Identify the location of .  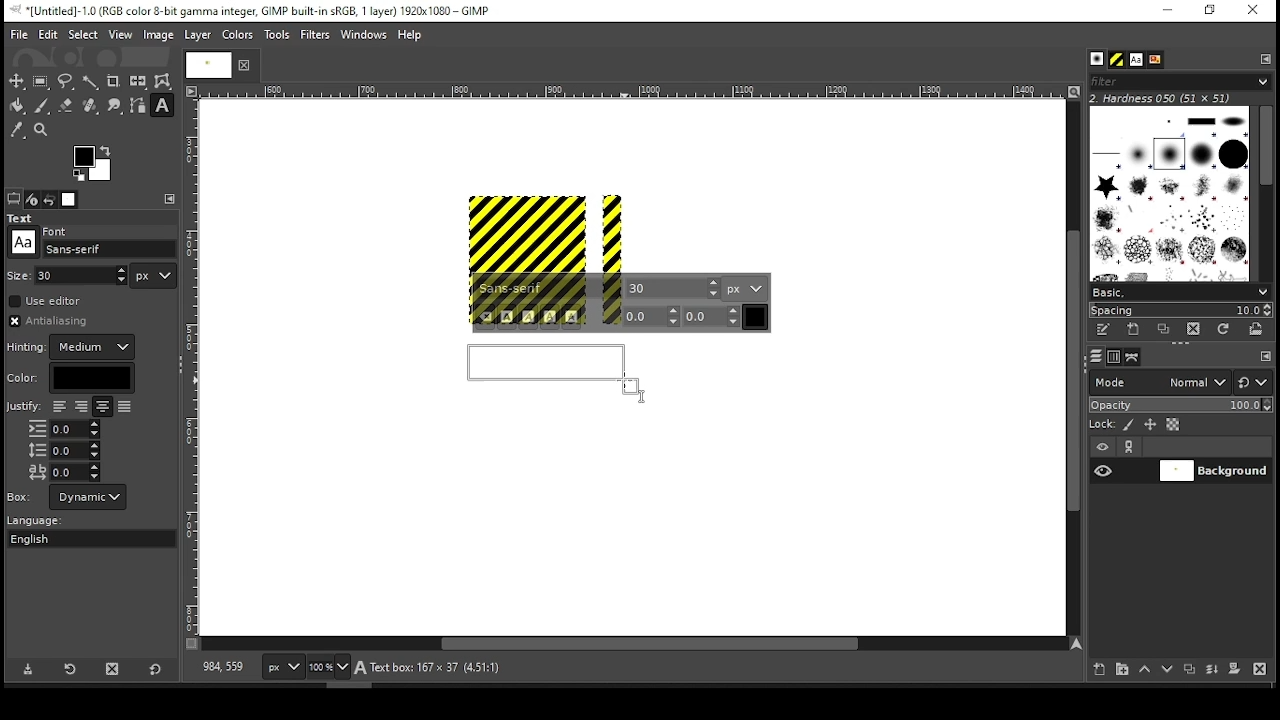
(23, 408).